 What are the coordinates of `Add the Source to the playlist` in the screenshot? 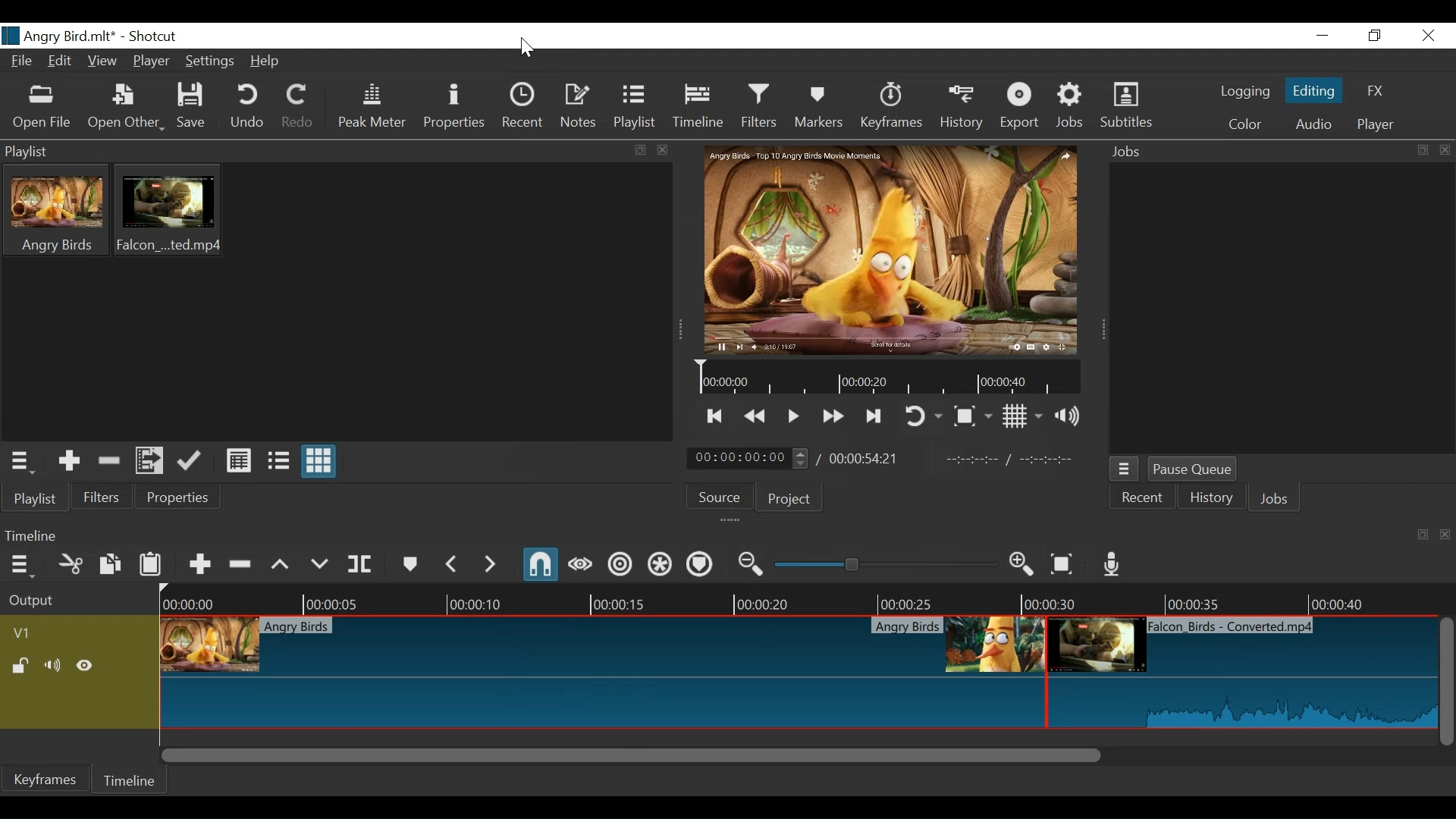 It's located at (69, 461).